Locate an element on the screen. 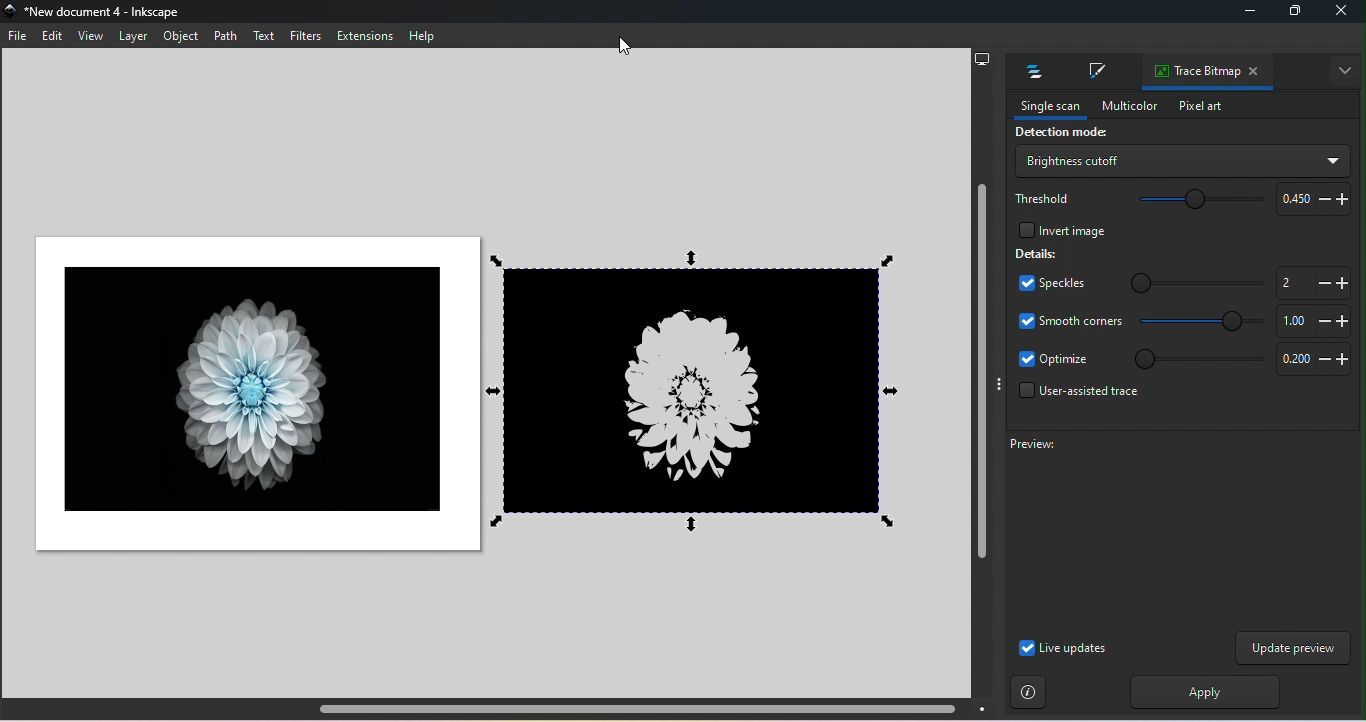  Canvas is located at coordinates (251, 394).